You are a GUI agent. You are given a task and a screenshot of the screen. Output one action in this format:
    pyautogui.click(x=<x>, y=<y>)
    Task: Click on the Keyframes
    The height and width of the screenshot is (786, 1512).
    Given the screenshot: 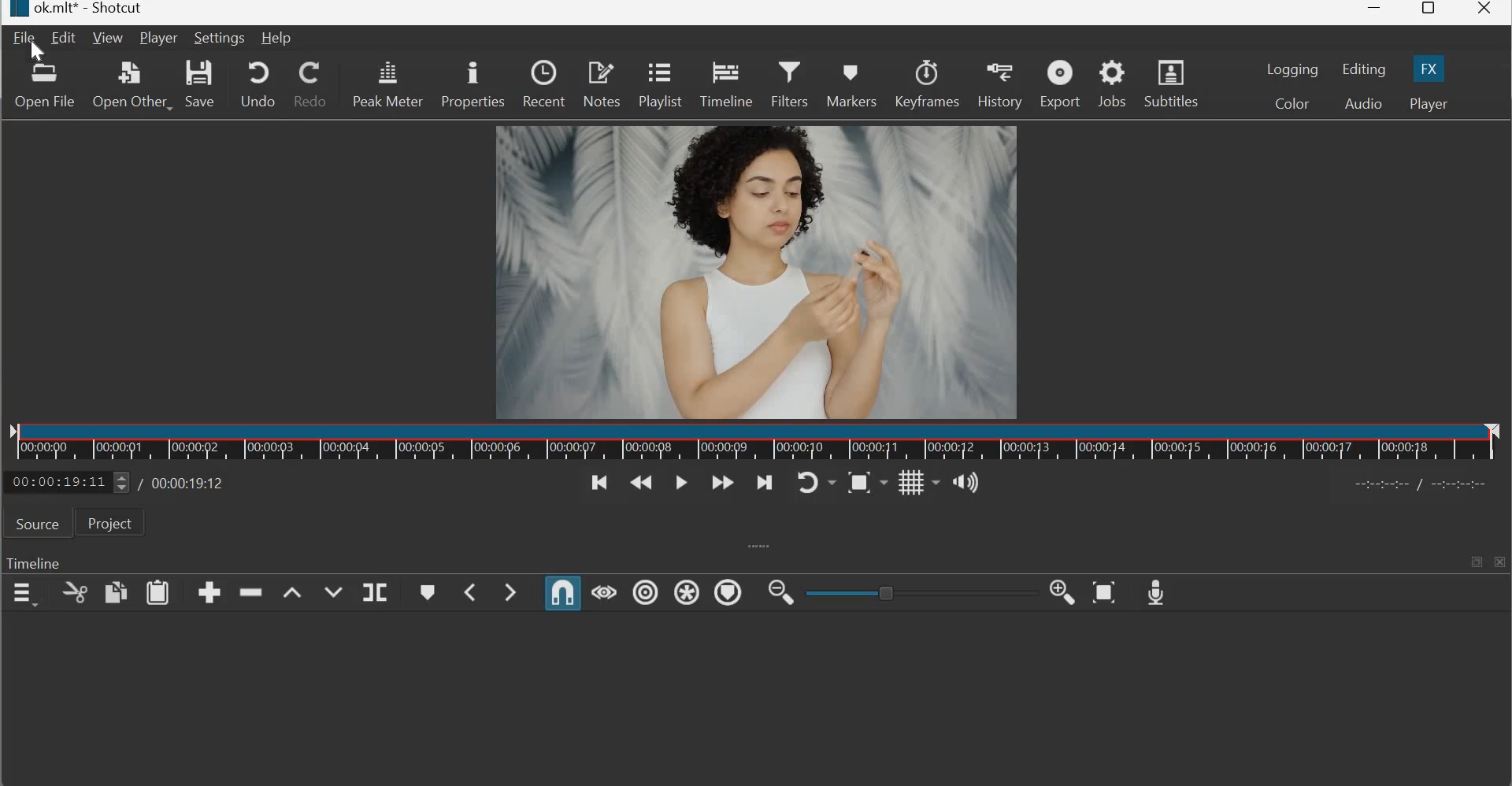 What is the action you would take?
    pyautogui.click(x=928, y=83)
    